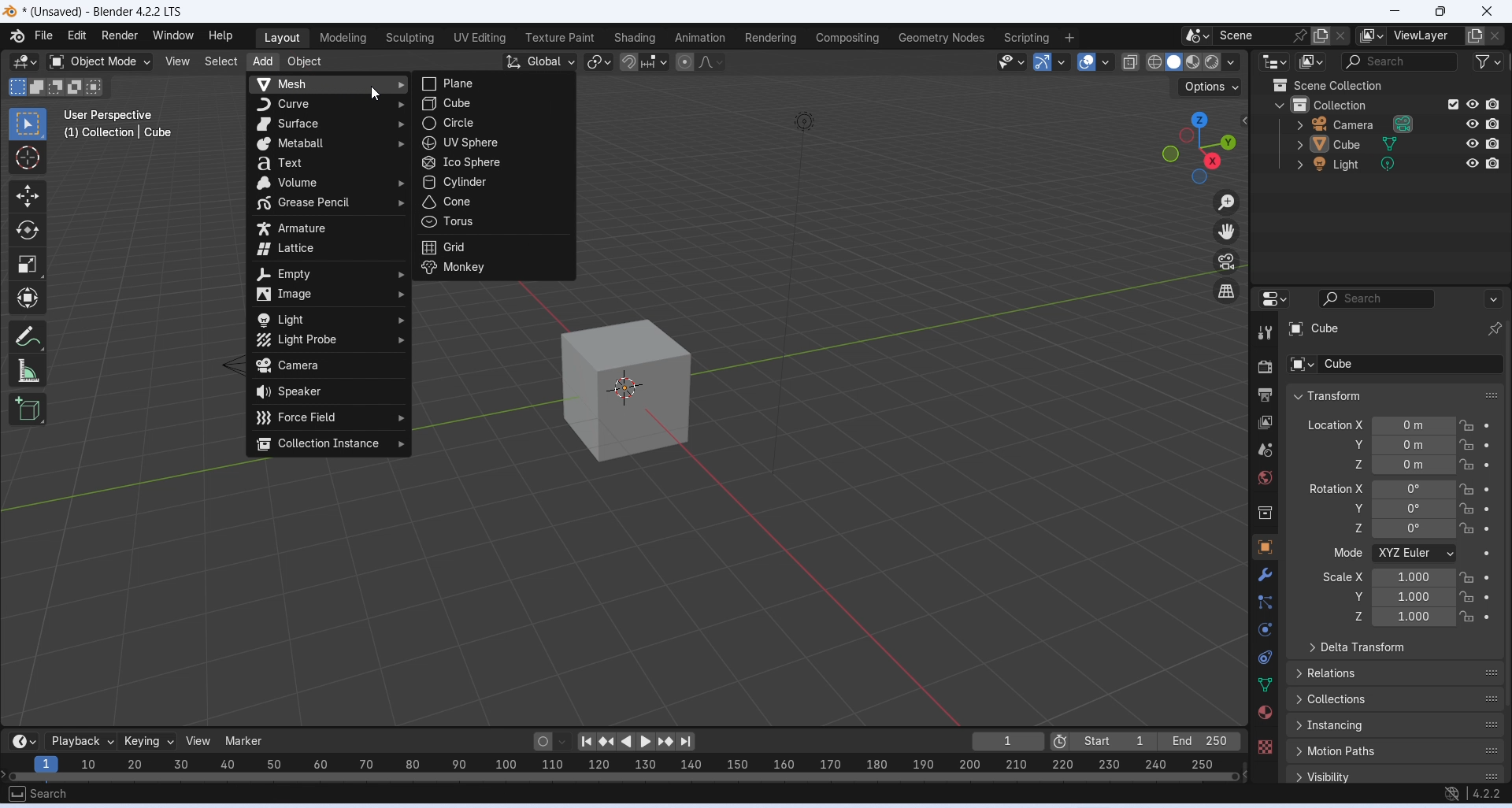  Describe the element at coordinates (120, 132) in the screenshot. I see `(1) Collection | Cube` at that location.